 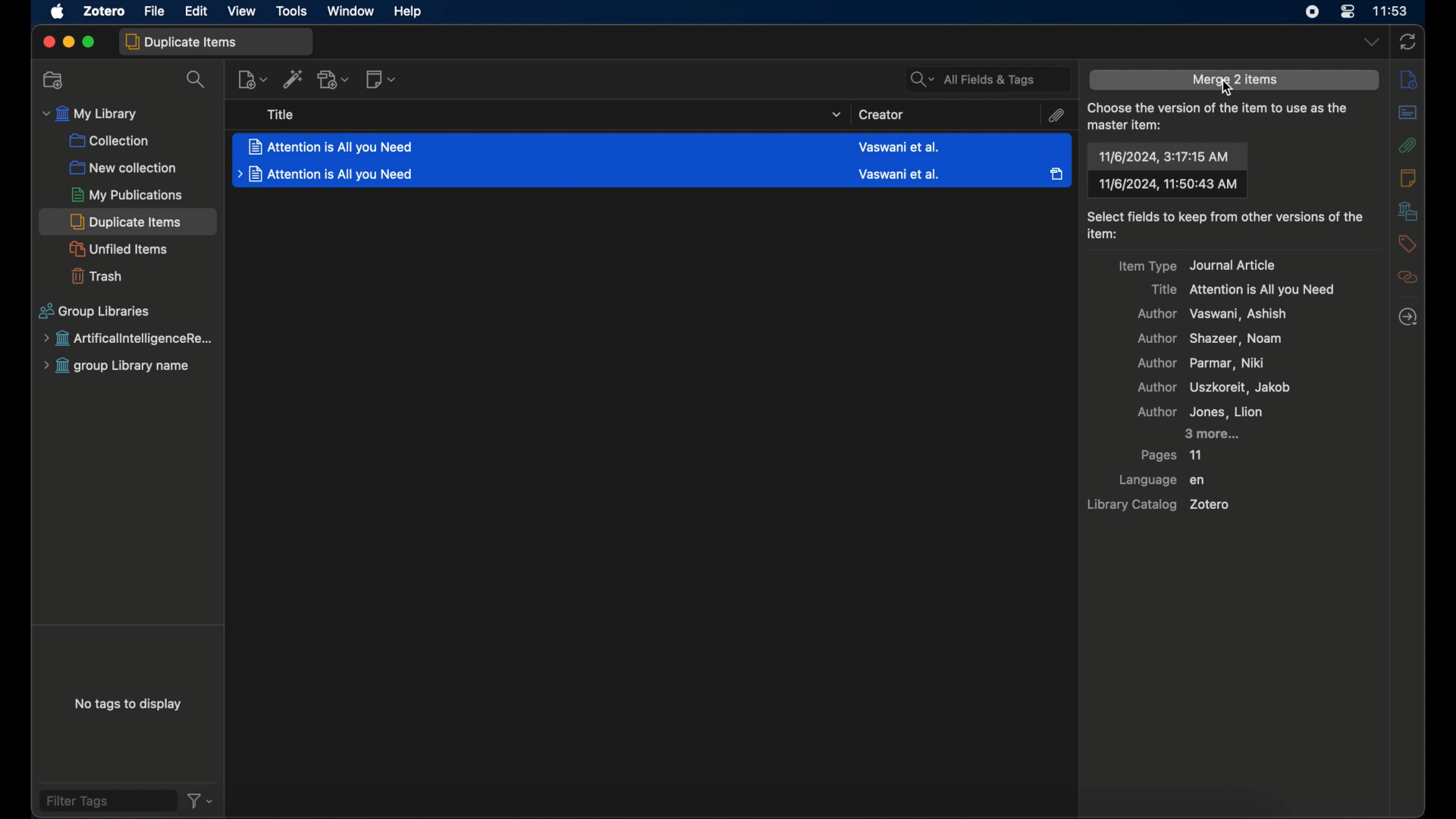 What do you see at coordinates (293, 12) in the screenshot?
I see `tools` at bounding box center [293, 12].